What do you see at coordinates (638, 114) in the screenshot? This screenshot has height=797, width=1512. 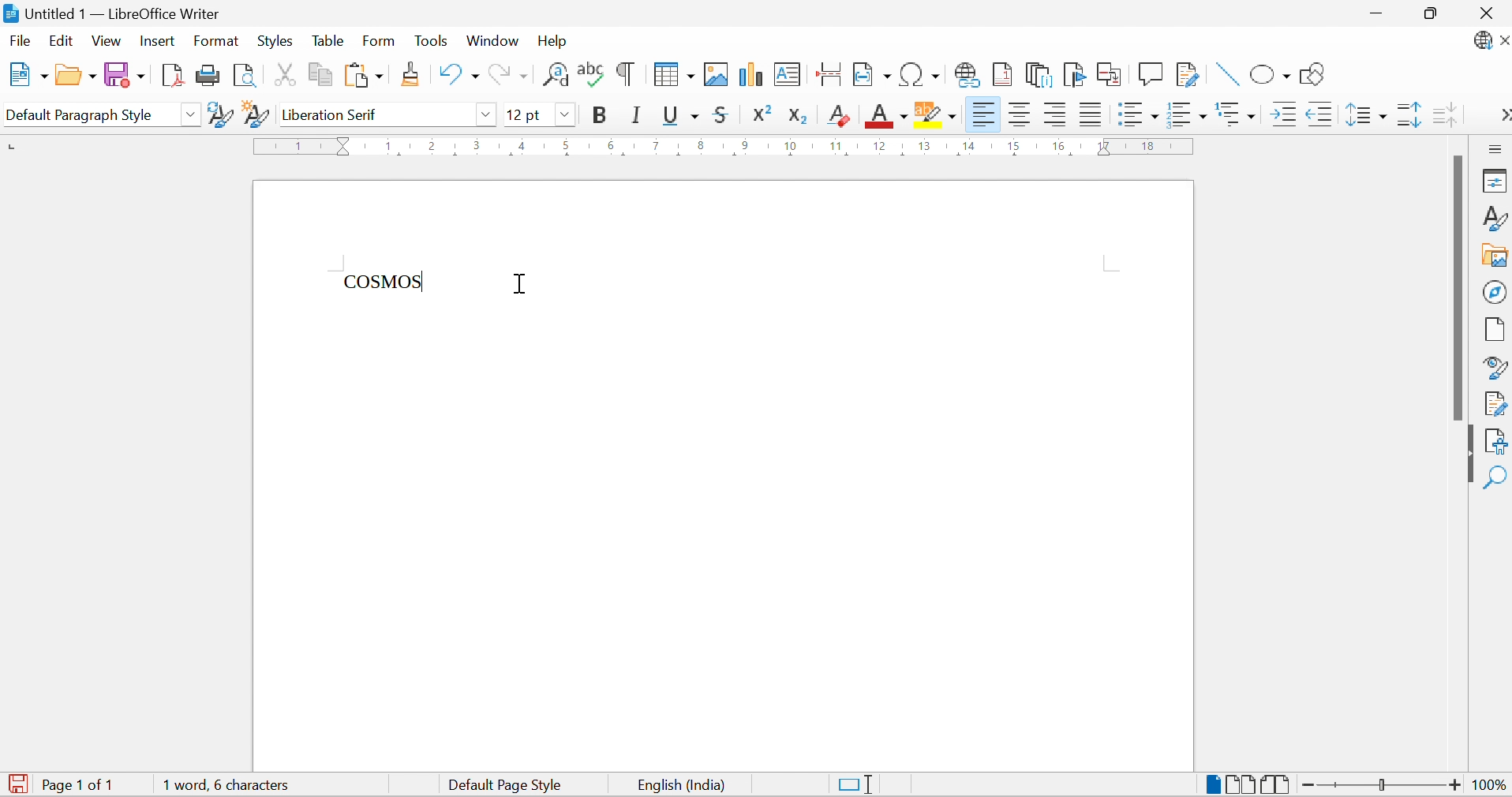 I see `Italic` at bounding box center [638, 114].